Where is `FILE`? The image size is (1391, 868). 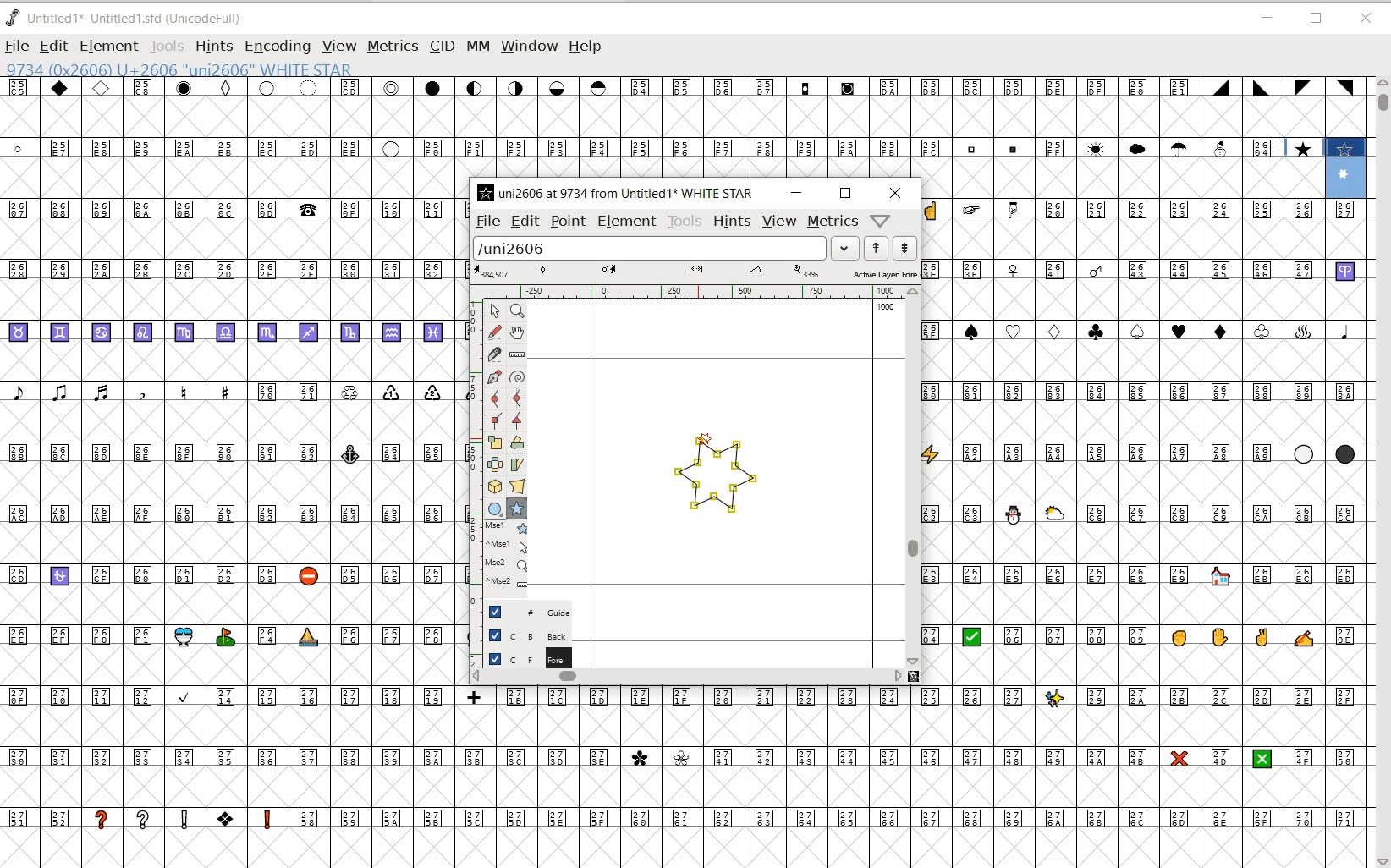
FILE is located at coordinates (16, 47).